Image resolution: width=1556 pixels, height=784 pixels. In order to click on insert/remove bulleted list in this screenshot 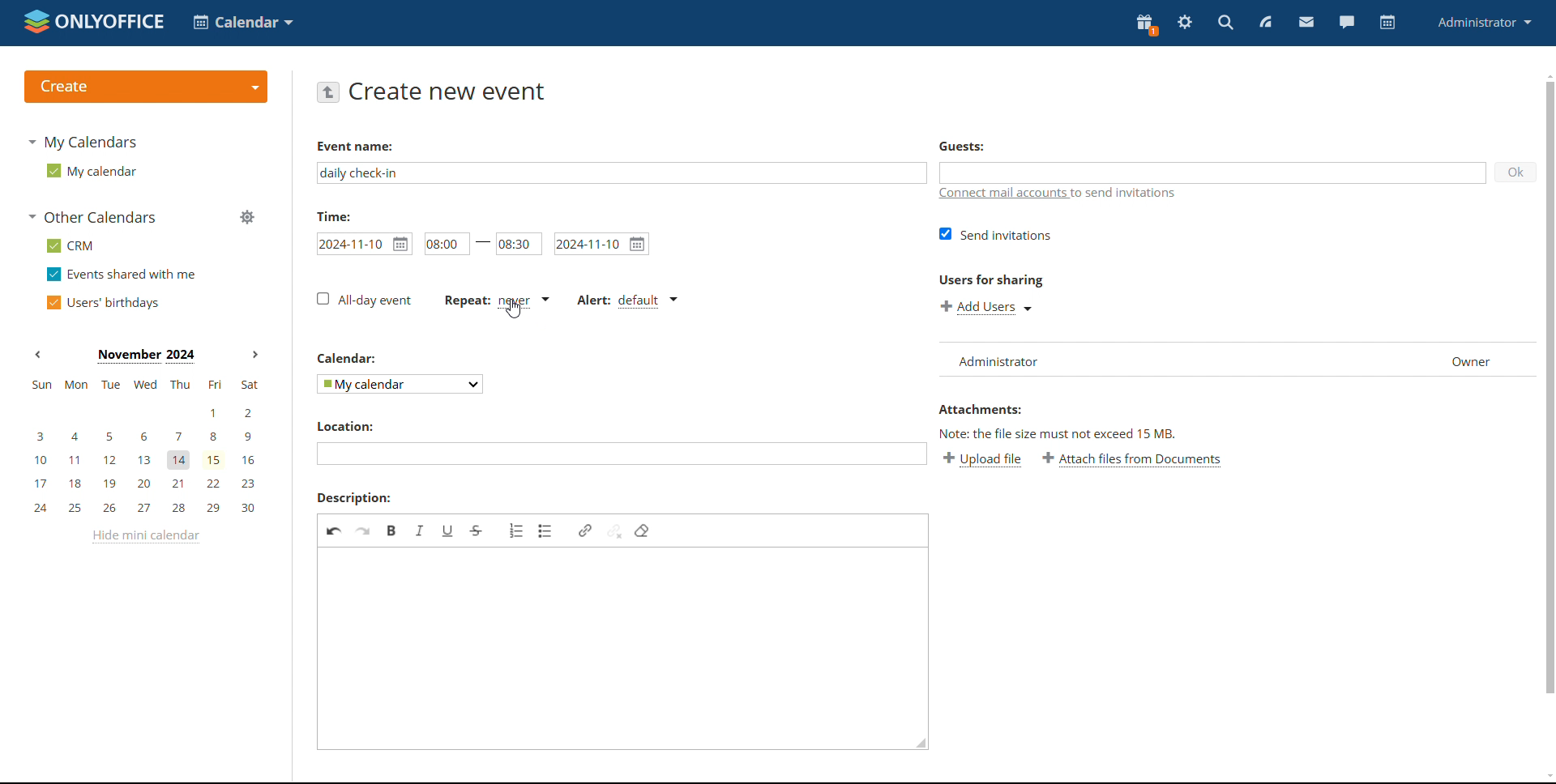, I will do `click(546, 531)`.